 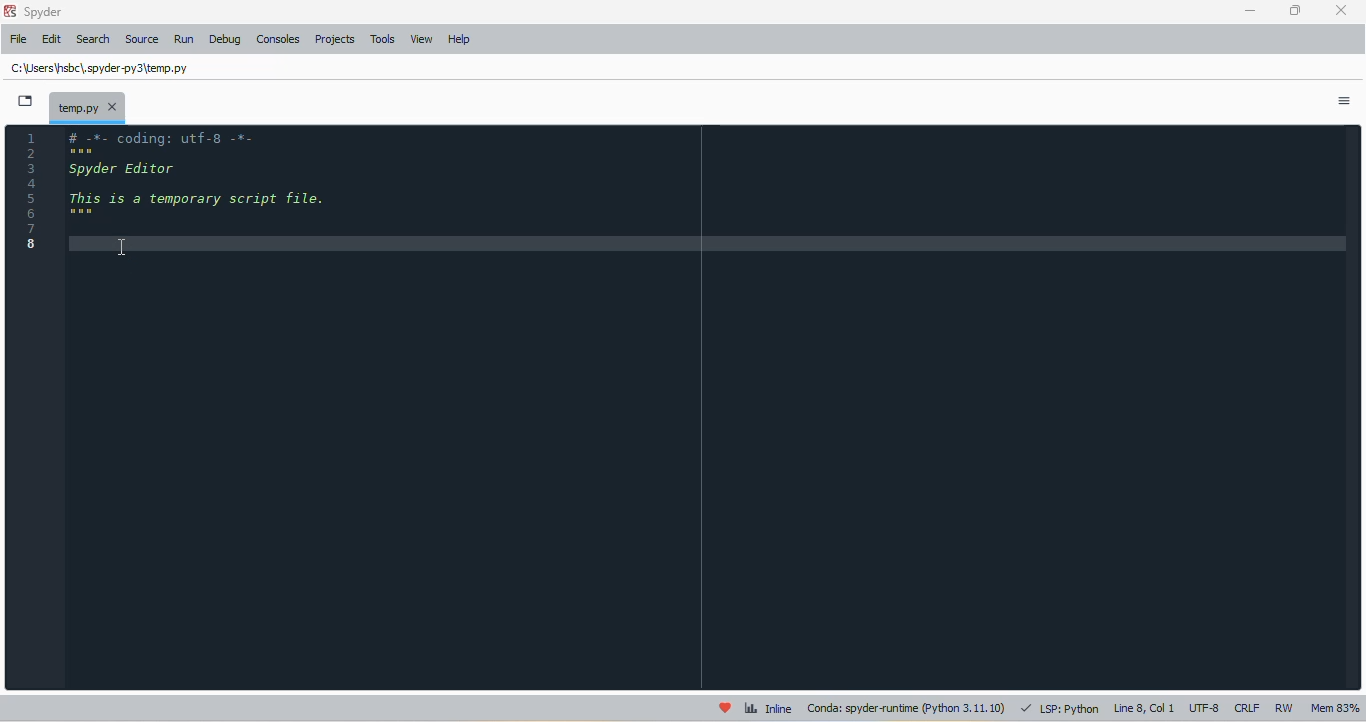 I want to click on help, so click(x=460, y=39).